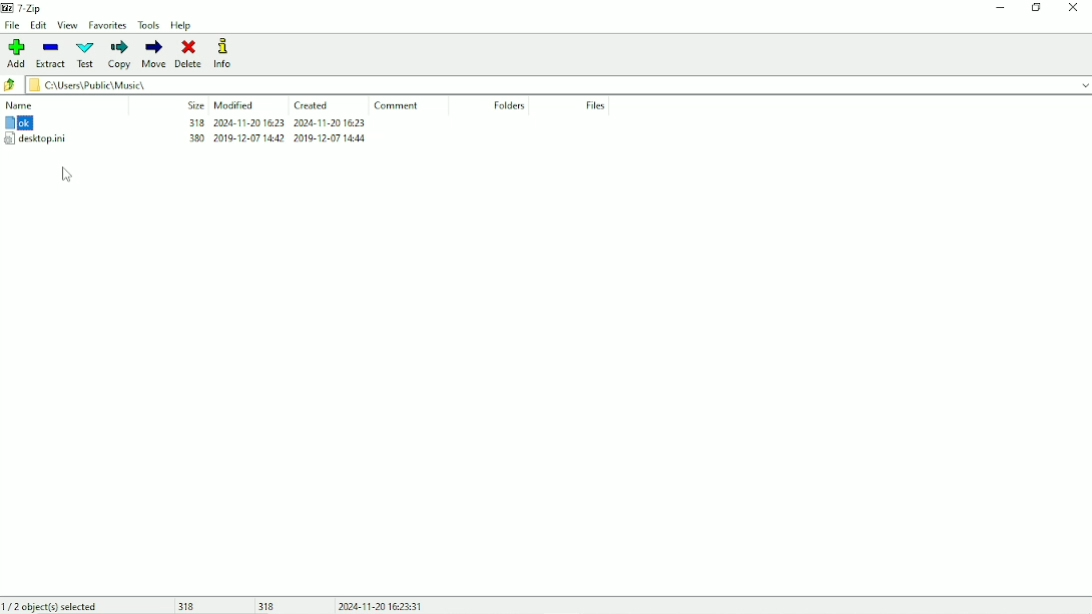  What do you see at coordinates (1001, 8) in the screenshot?
I see `Minimize` at bounding box center [1001, 8].